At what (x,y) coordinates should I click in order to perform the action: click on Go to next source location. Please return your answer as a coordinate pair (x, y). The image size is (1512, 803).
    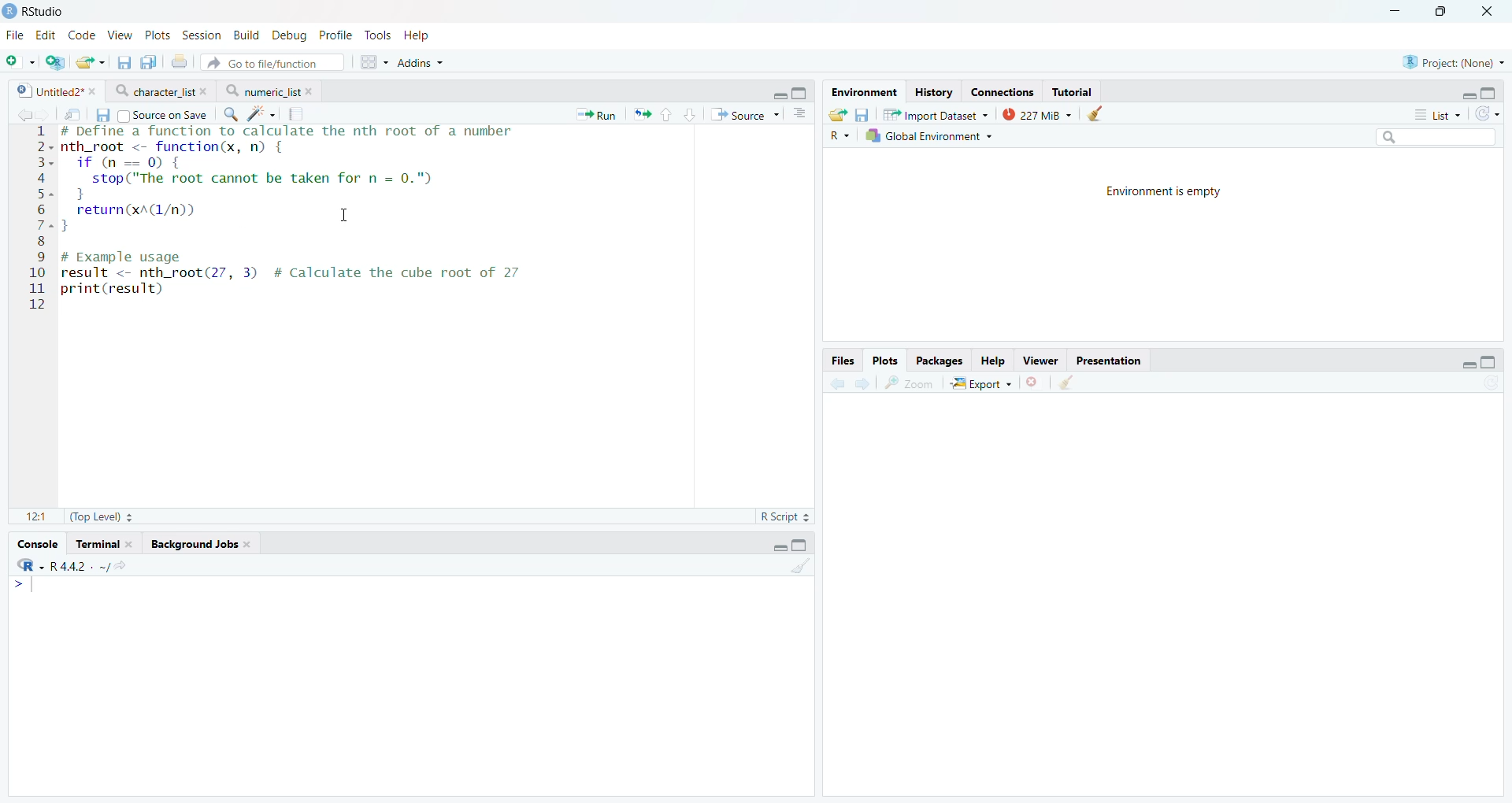
    Looking at the image, I should click on (43, 116).